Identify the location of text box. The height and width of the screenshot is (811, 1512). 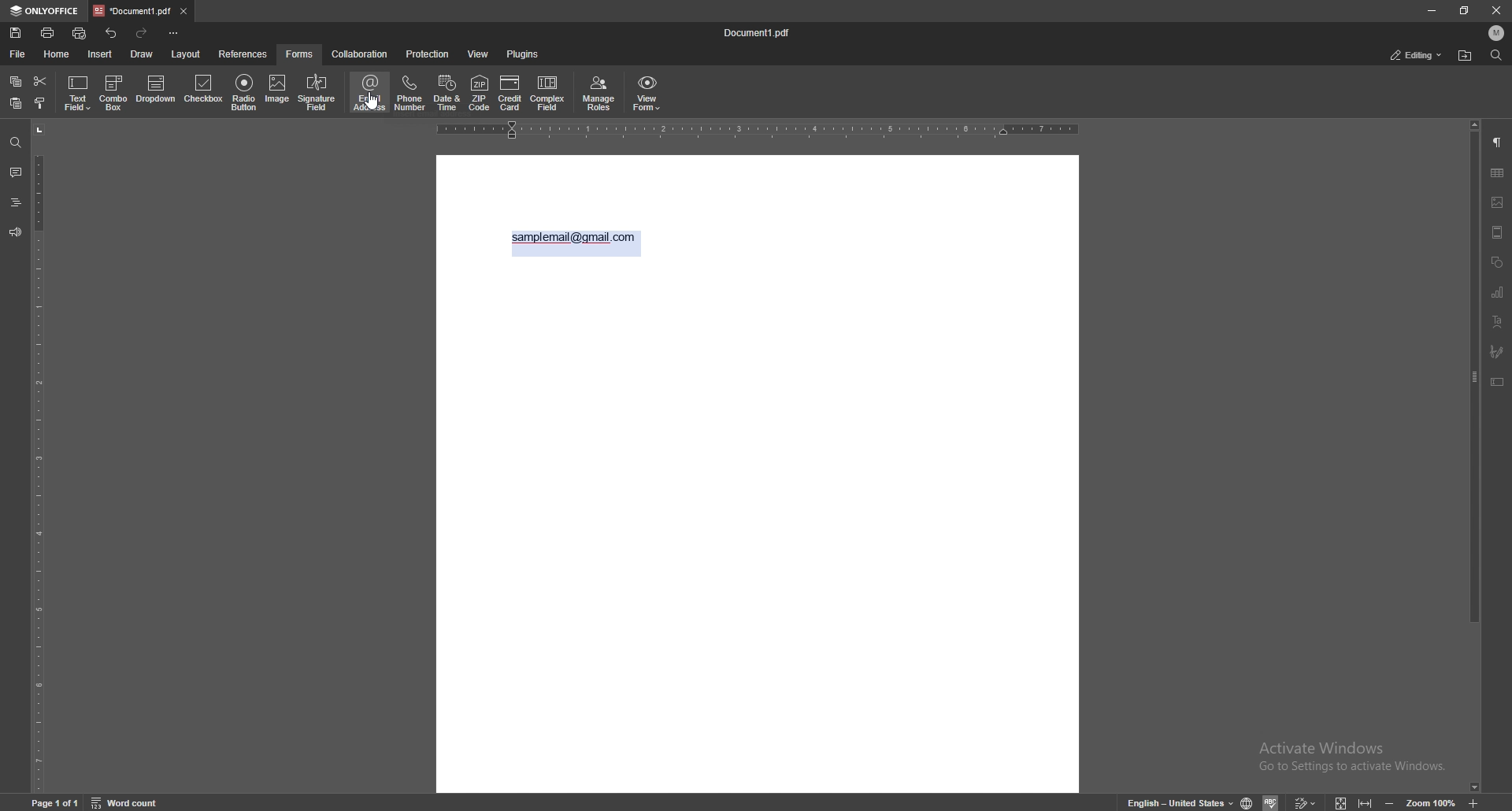
(1499, 382).